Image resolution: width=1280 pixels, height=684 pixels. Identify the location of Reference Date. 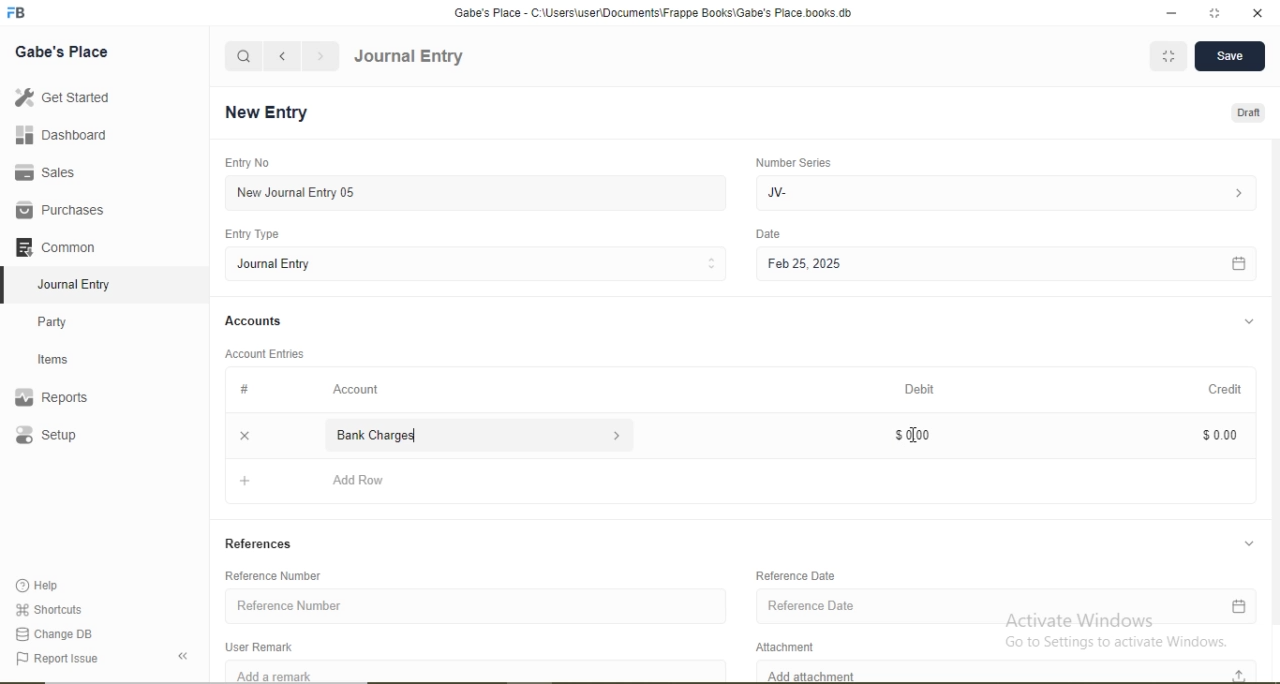
(798, 575).